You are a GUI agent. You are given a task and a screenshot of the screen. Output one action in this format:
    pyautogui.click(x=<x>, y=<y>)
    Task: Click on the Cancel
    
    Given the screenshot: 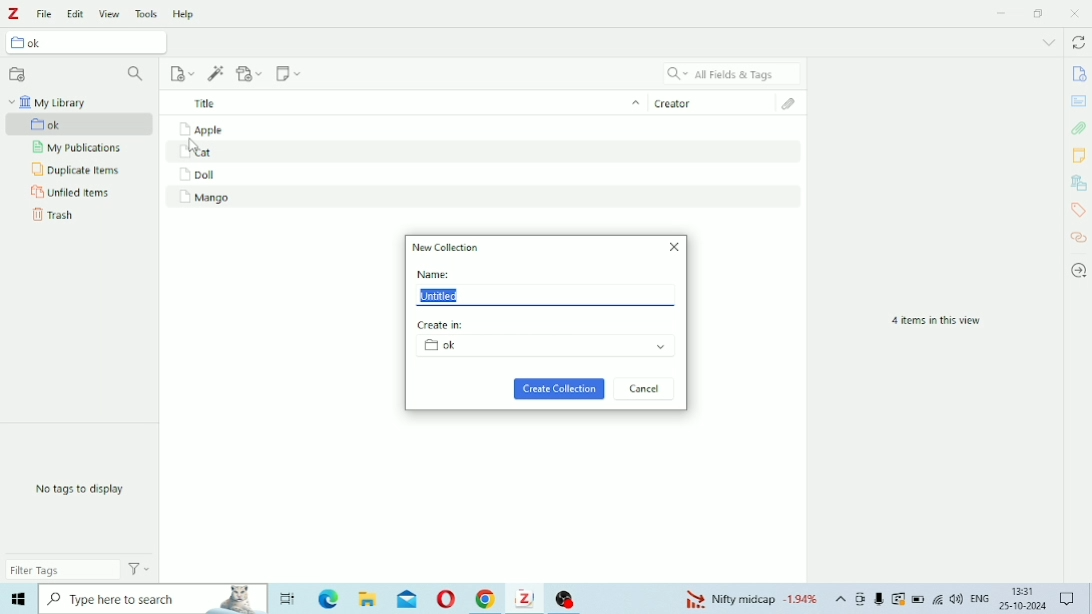 What is the action you would take?
    pyautogui.click(x=645, y=389)
    